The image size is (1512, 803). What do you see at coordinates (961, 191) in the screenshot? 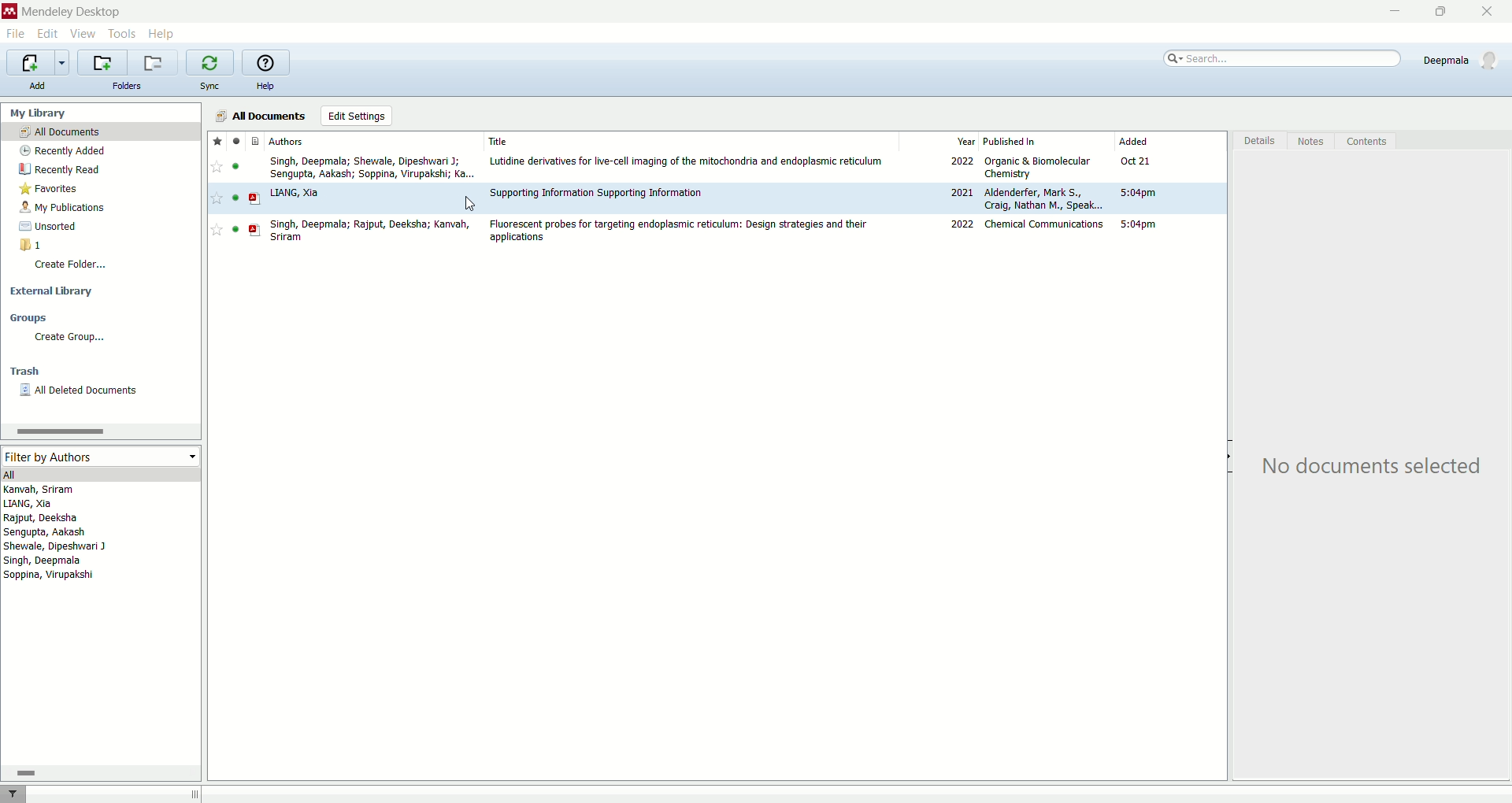
I see `2021` at bounding box center [961, 191].